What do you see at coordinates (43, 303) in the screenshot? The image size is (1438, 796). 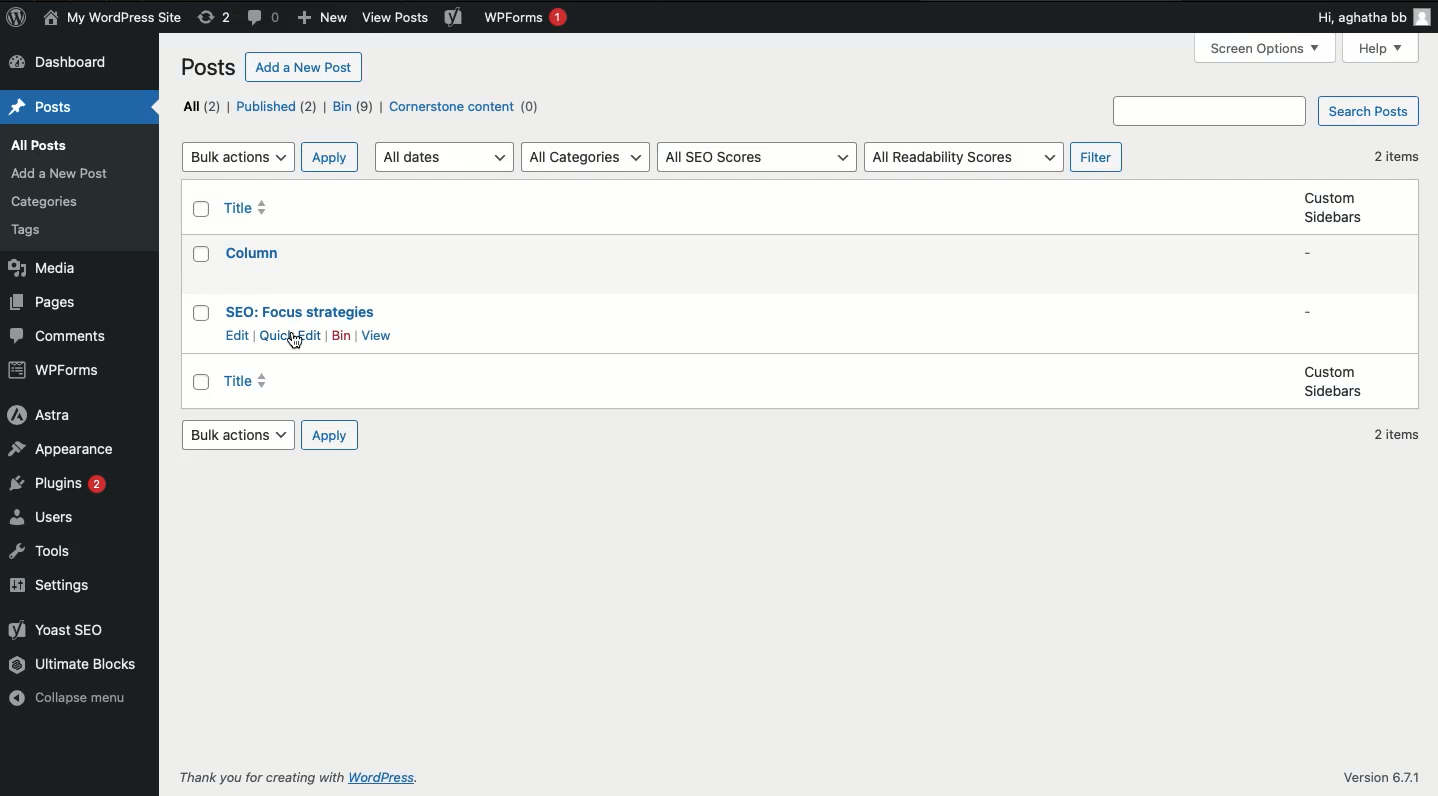 I see `Pages` at bounding box center [43, 303].